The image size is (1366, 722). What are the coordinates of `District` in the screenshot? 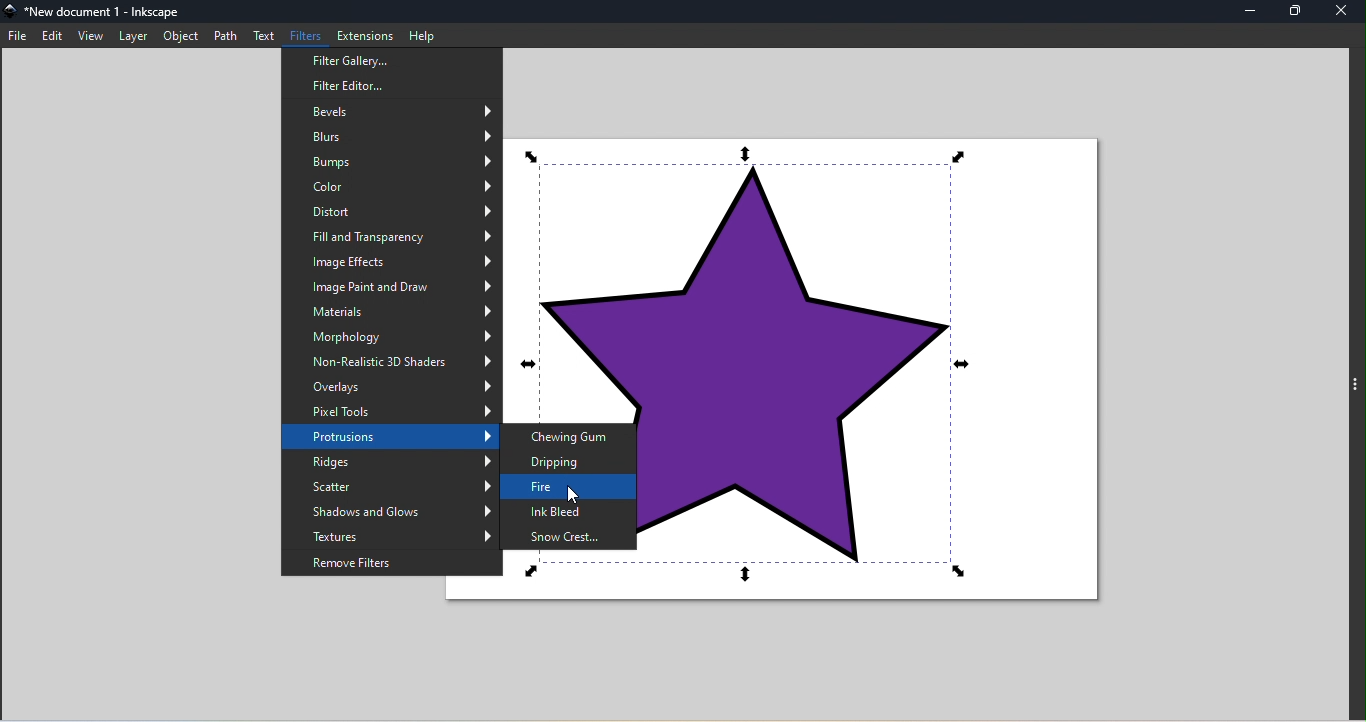 It's located at (392, 213).